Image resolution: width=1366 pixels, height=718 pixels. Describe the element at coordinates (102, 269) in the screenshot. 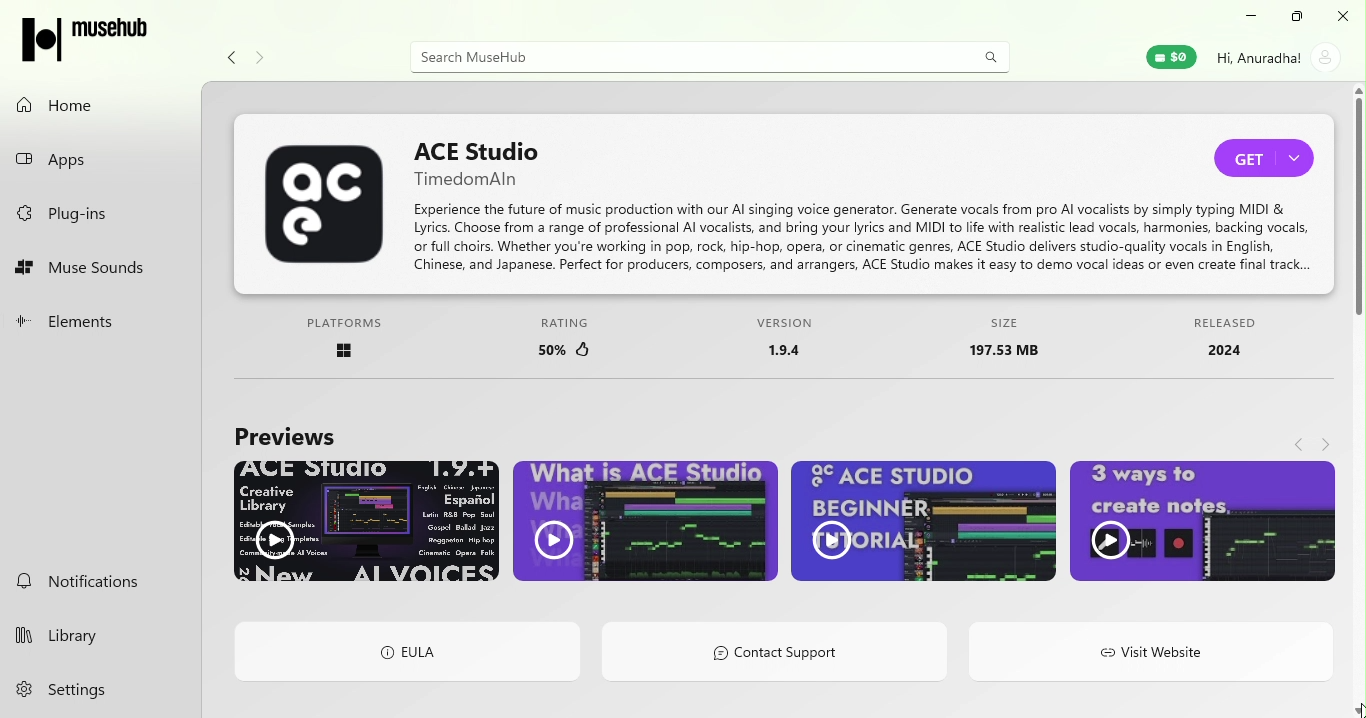

I see `muse sounds` at that location.